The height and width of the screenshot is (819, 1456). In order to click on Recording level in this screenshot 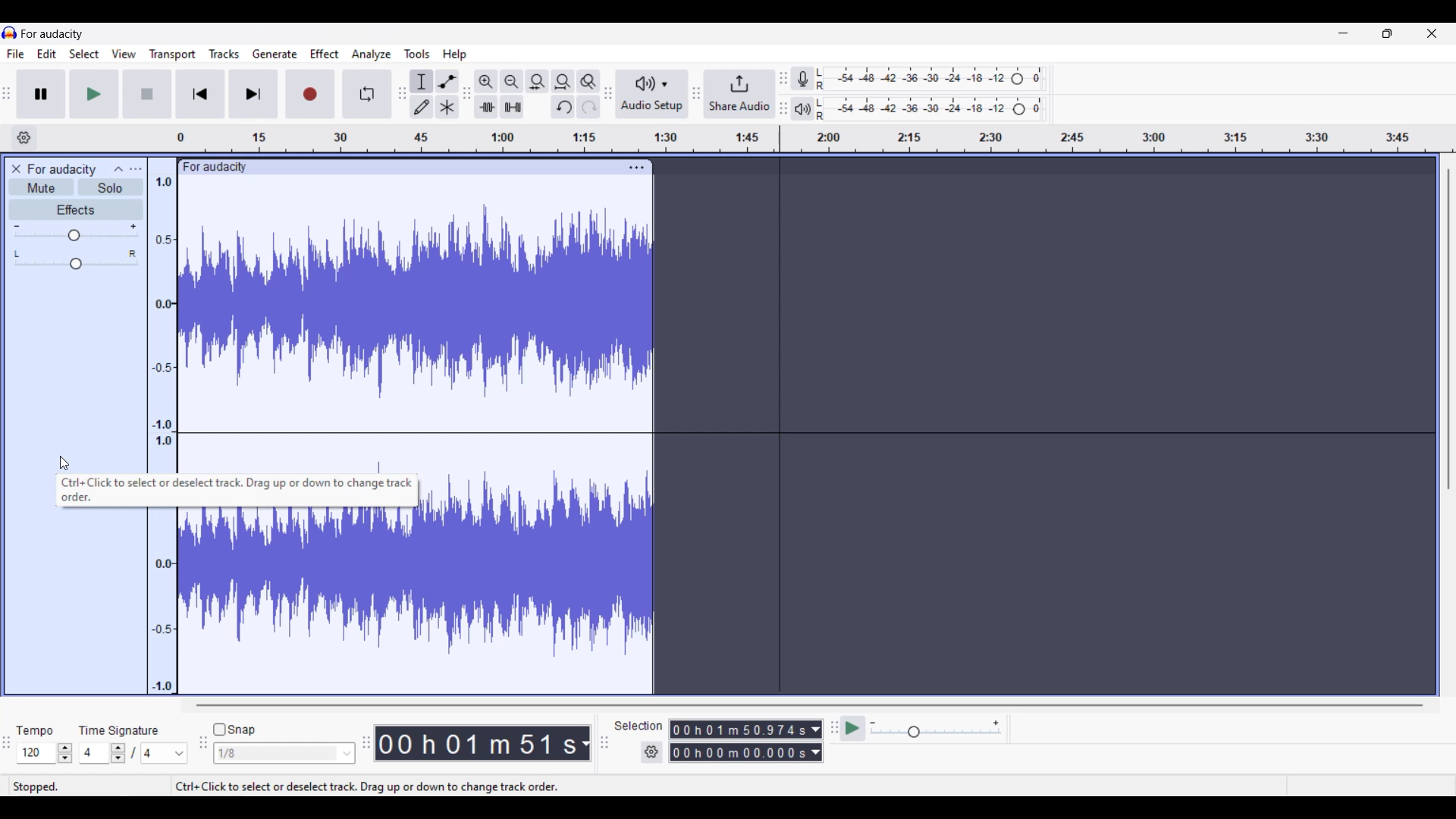, I will do `click(934, 78)`.